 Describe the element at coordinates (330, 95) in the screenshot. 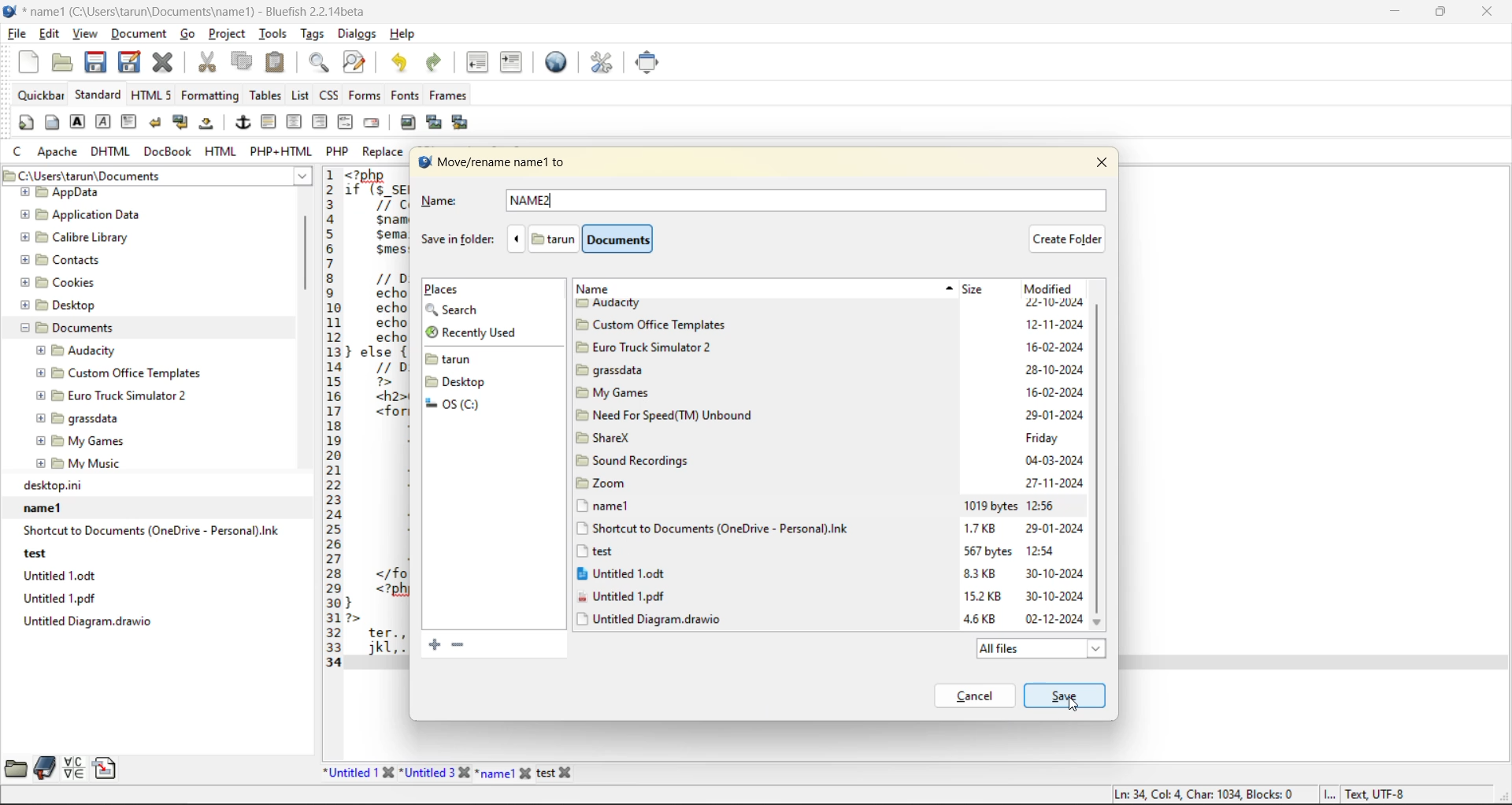

I see `css` at that location.